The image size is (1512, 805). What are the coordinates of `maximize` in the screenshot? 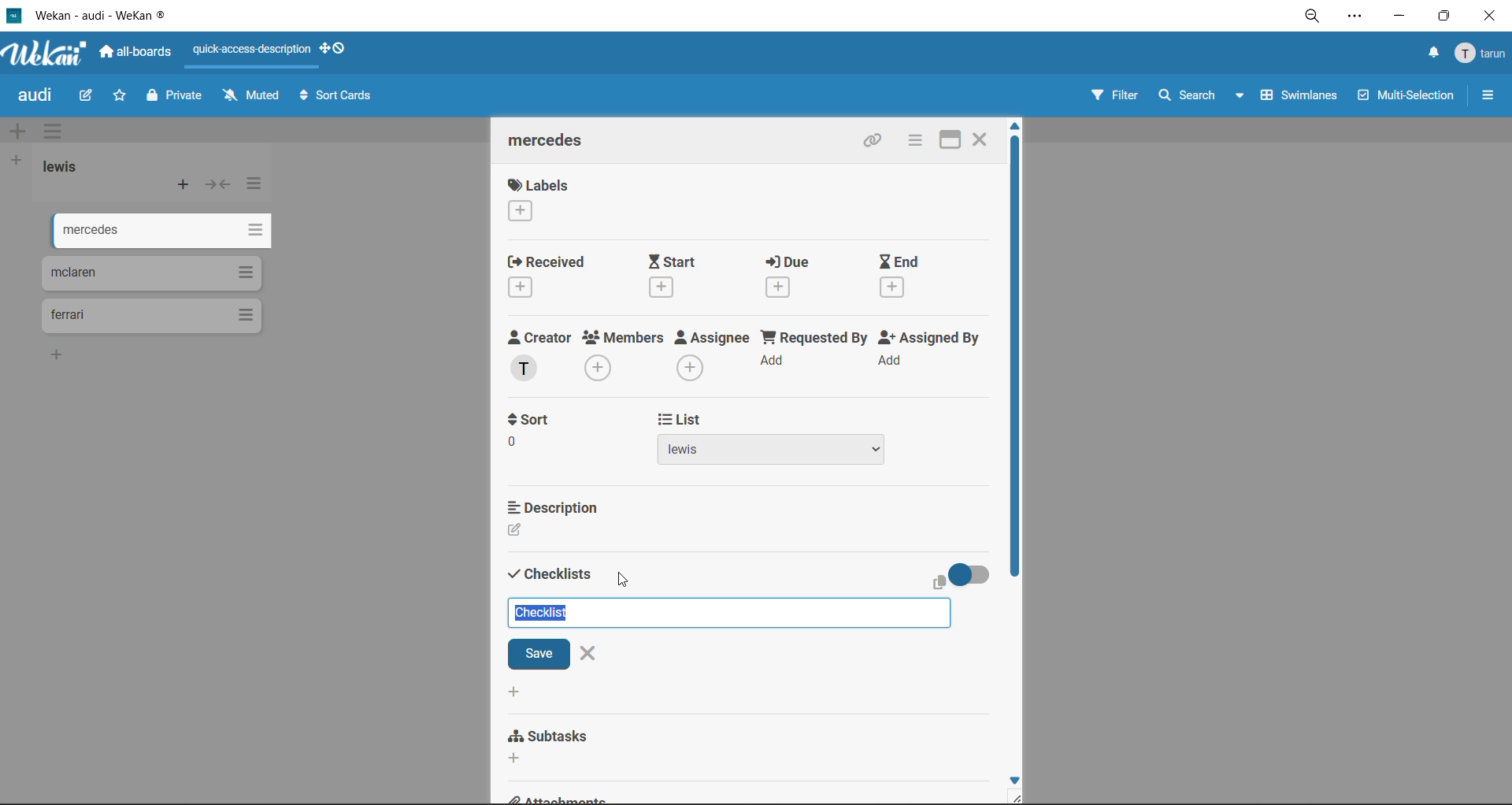 It's located at (943, 139).